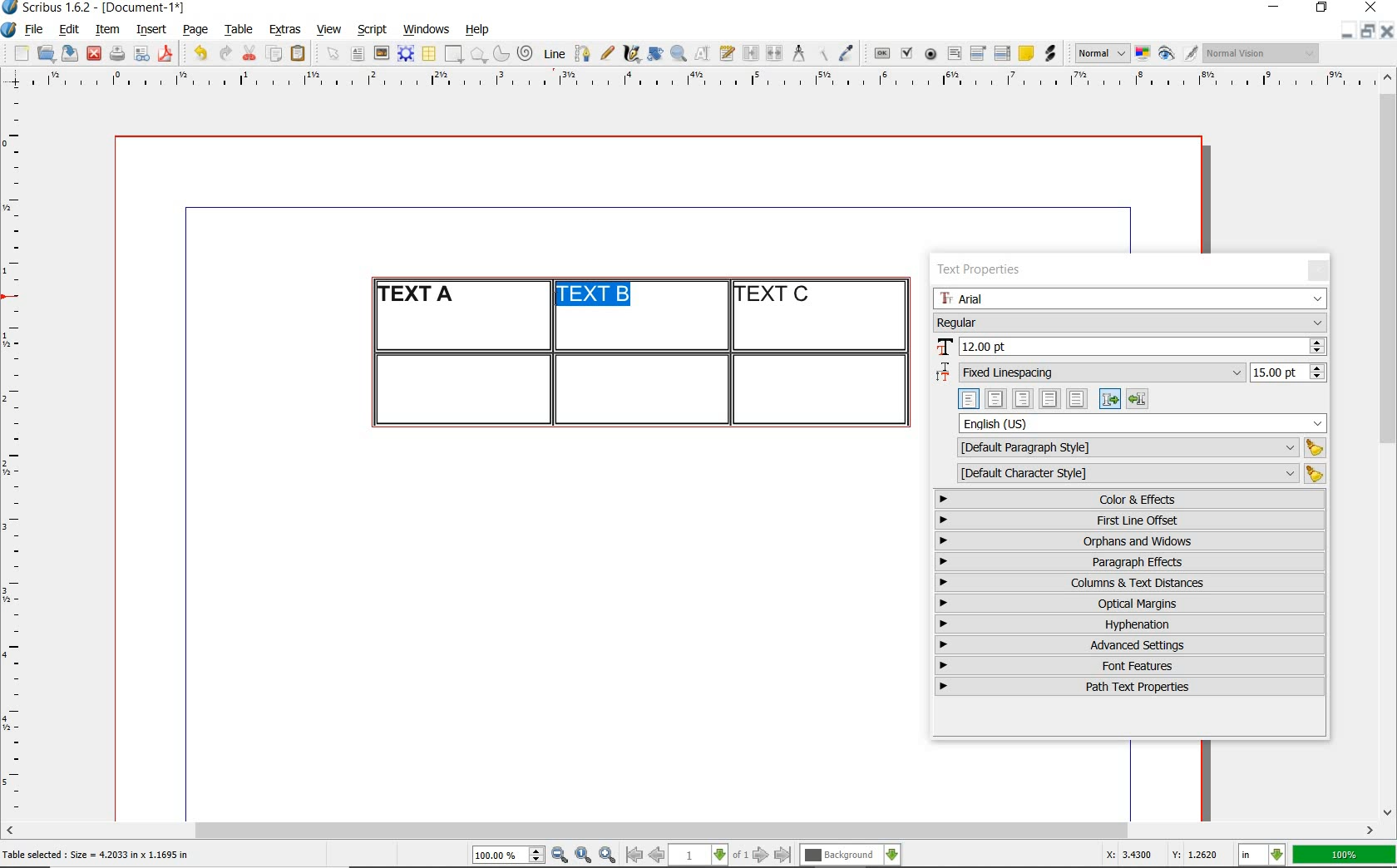 This screenshot has height=868, width=1397. Describe the element at coordinates (116, 53) in the screenshot. I see `print` at that location.